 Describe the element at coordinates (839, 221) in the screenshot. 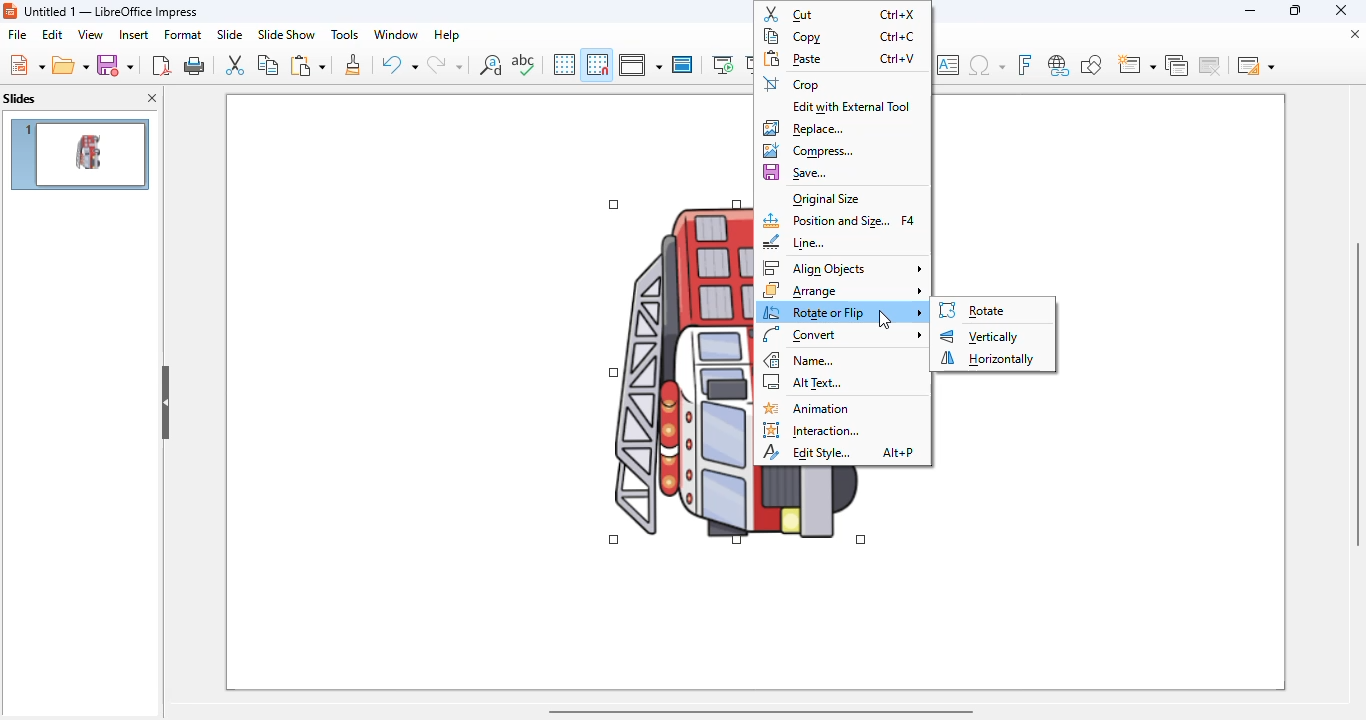

I see `position and size` at that location.